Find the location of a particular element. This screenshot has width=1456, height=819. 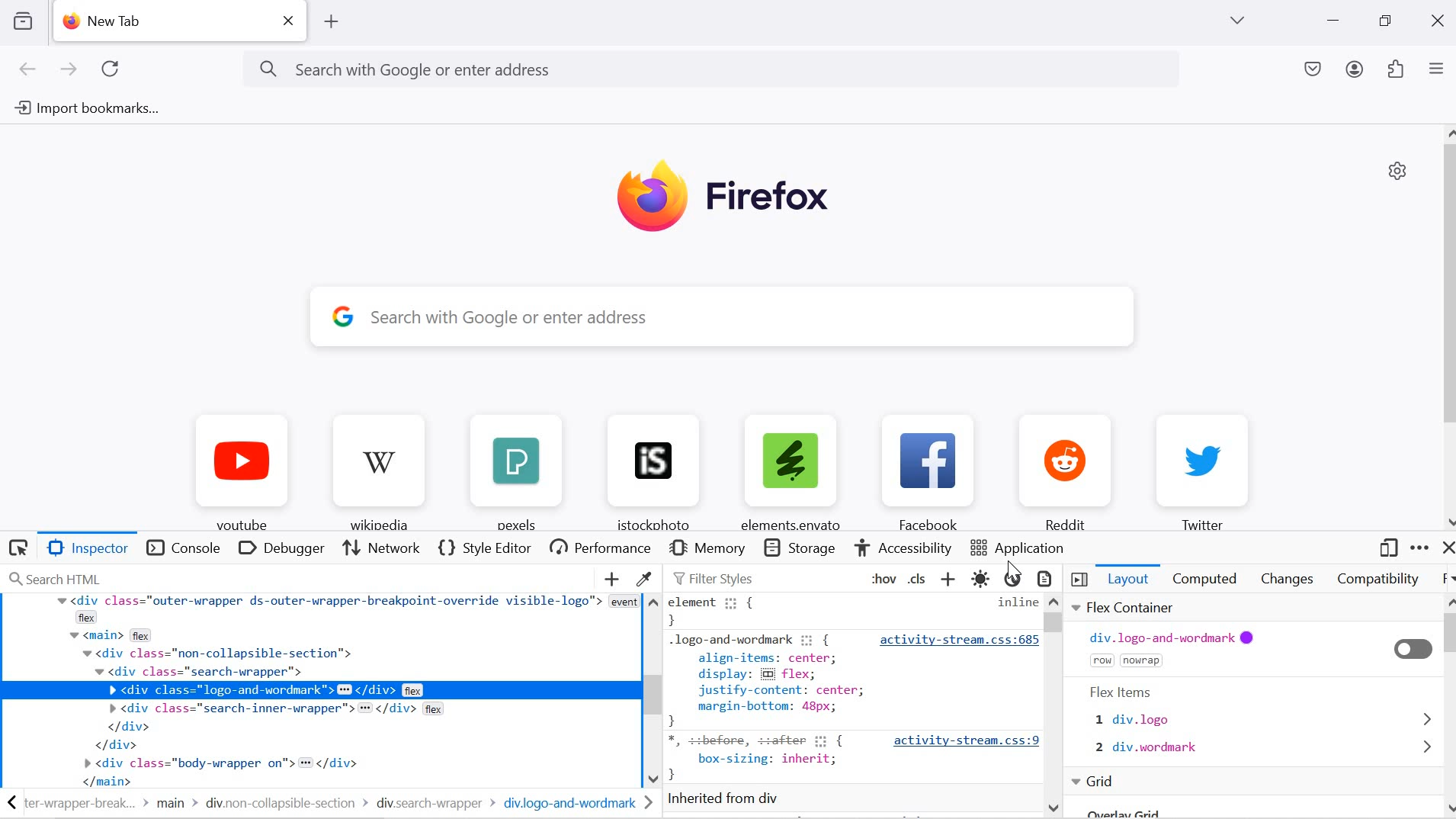

storage is located at coordinates (803, 548).